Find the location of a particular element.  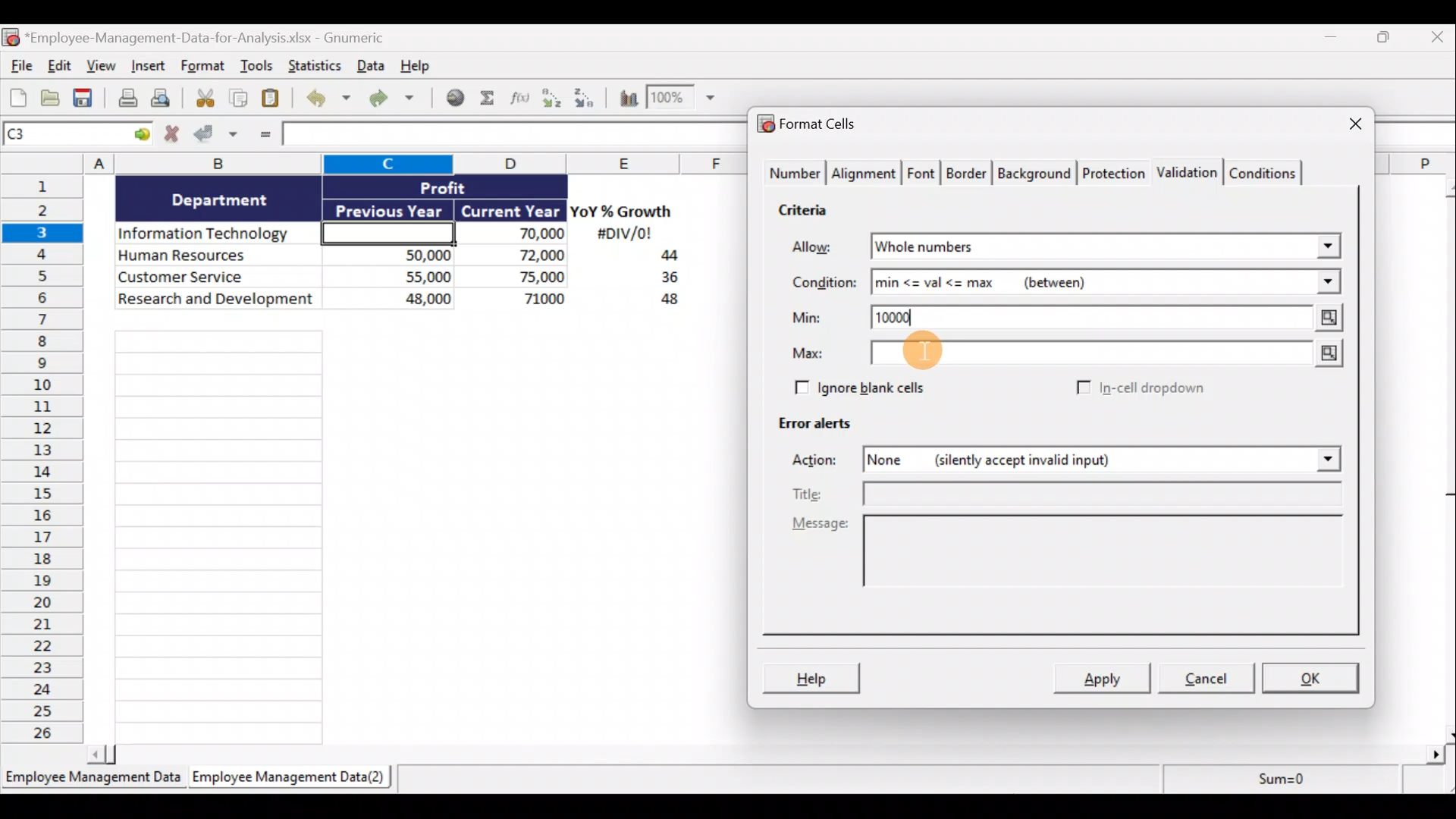

Max value is located at coordinates (1103, 353).